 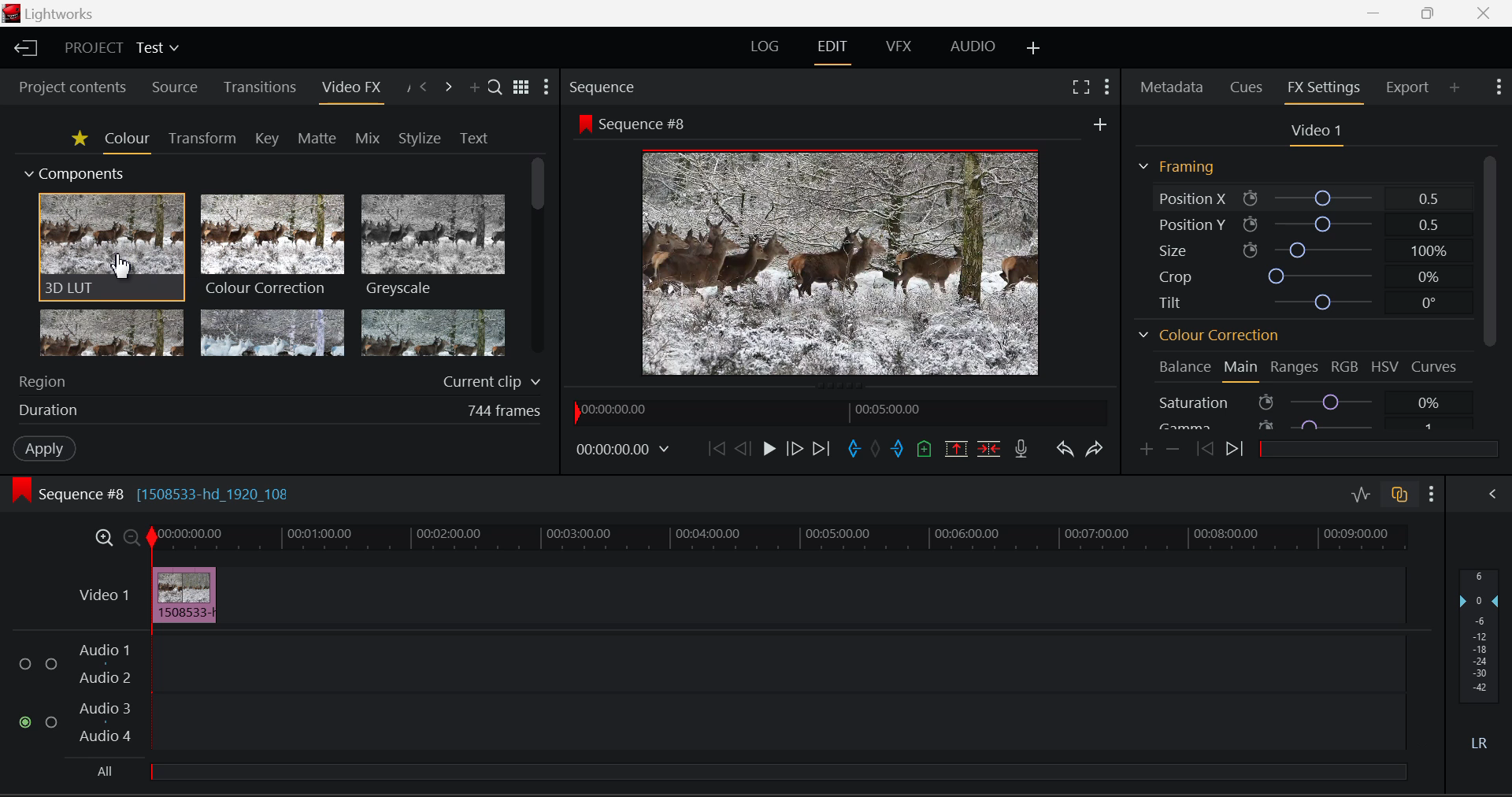 I want to click on Main Tab Open, so click(x=1241, y=371).